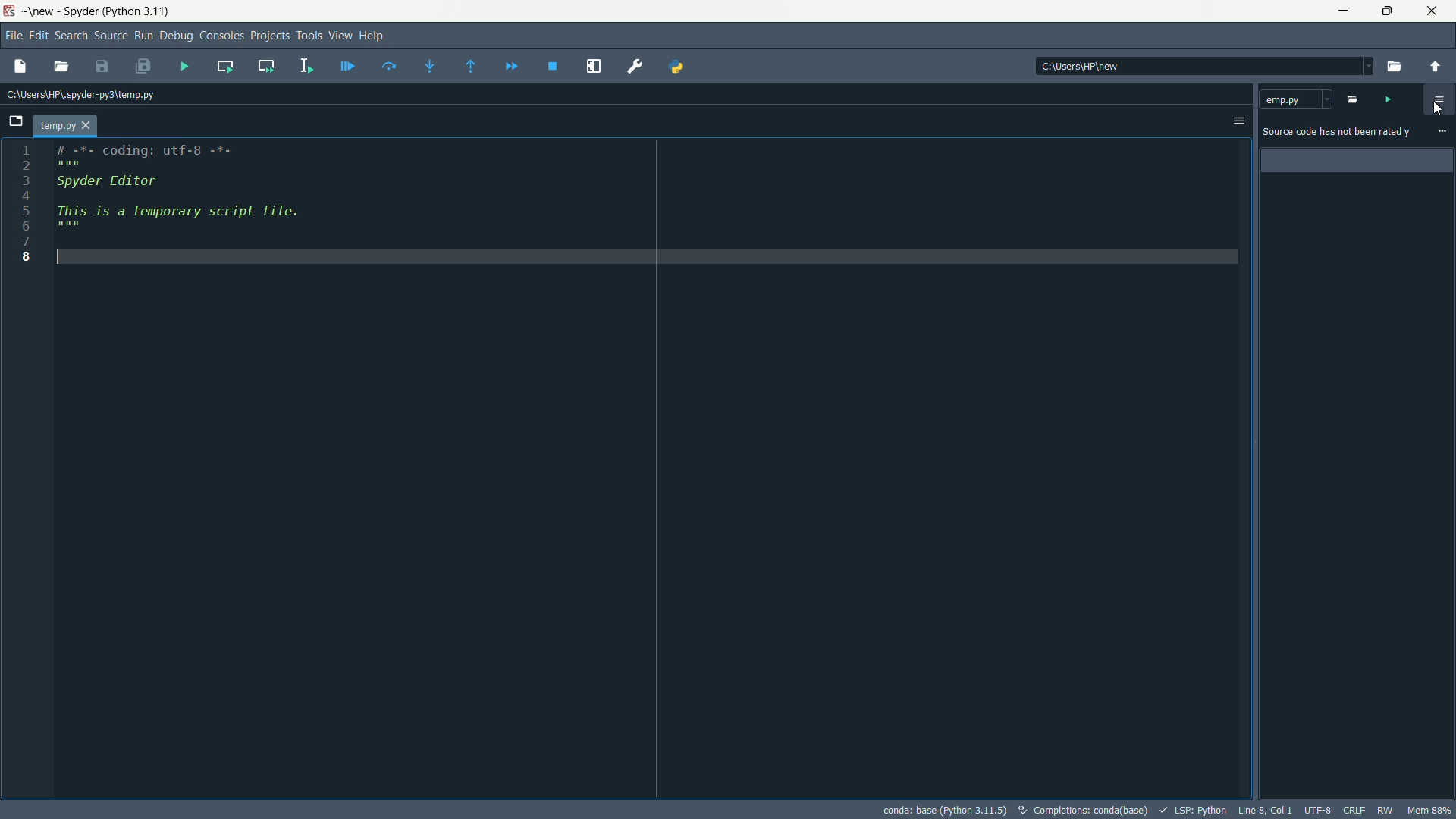 The width and height of the screenshot is (1456, 819). I want to click on continue execution until next function, so click(474, 67).